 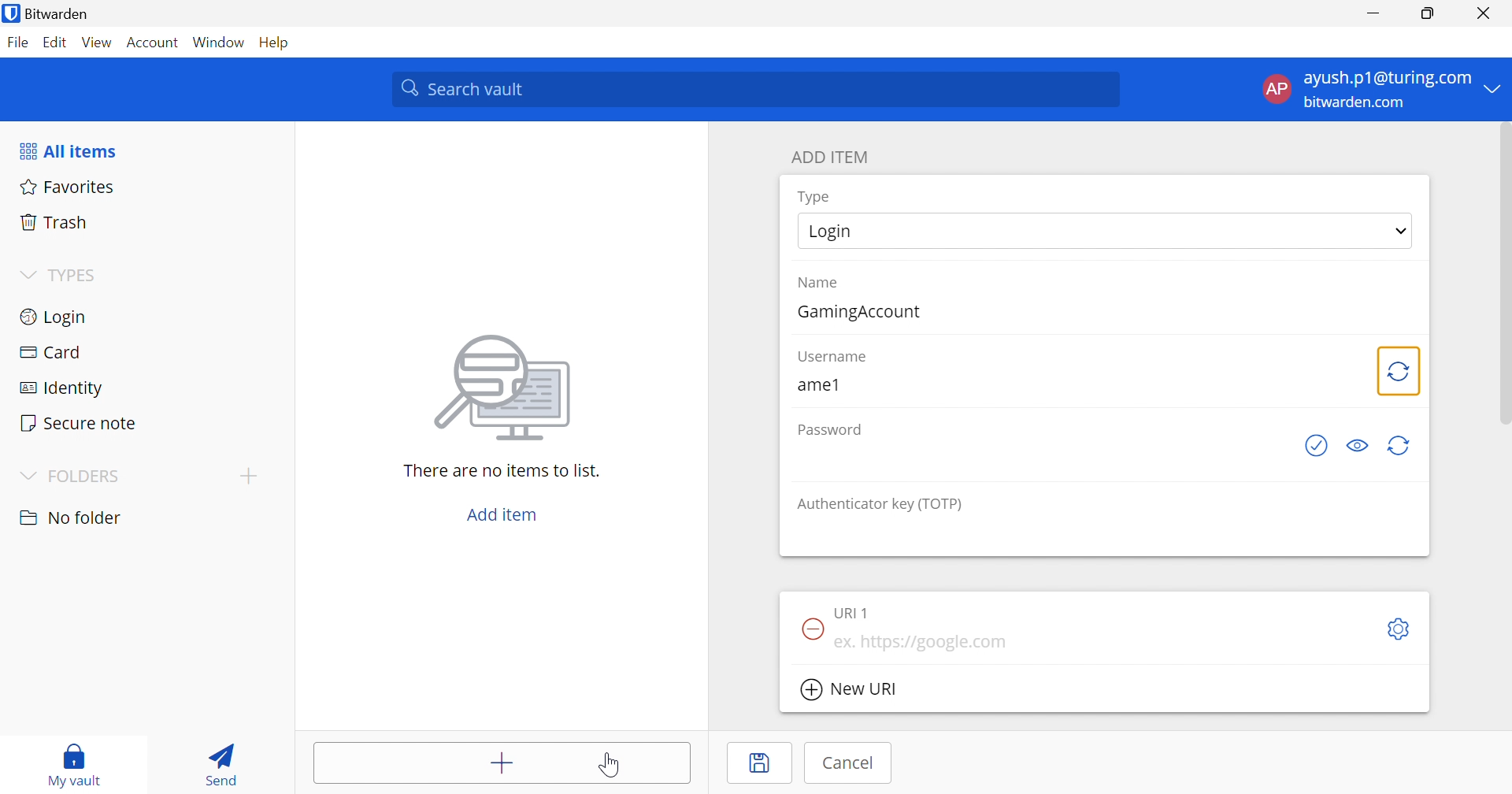 What do you see at coordinates (498, 514) in the screenshot?
I see `Add item` at bounding box center [498, 514].